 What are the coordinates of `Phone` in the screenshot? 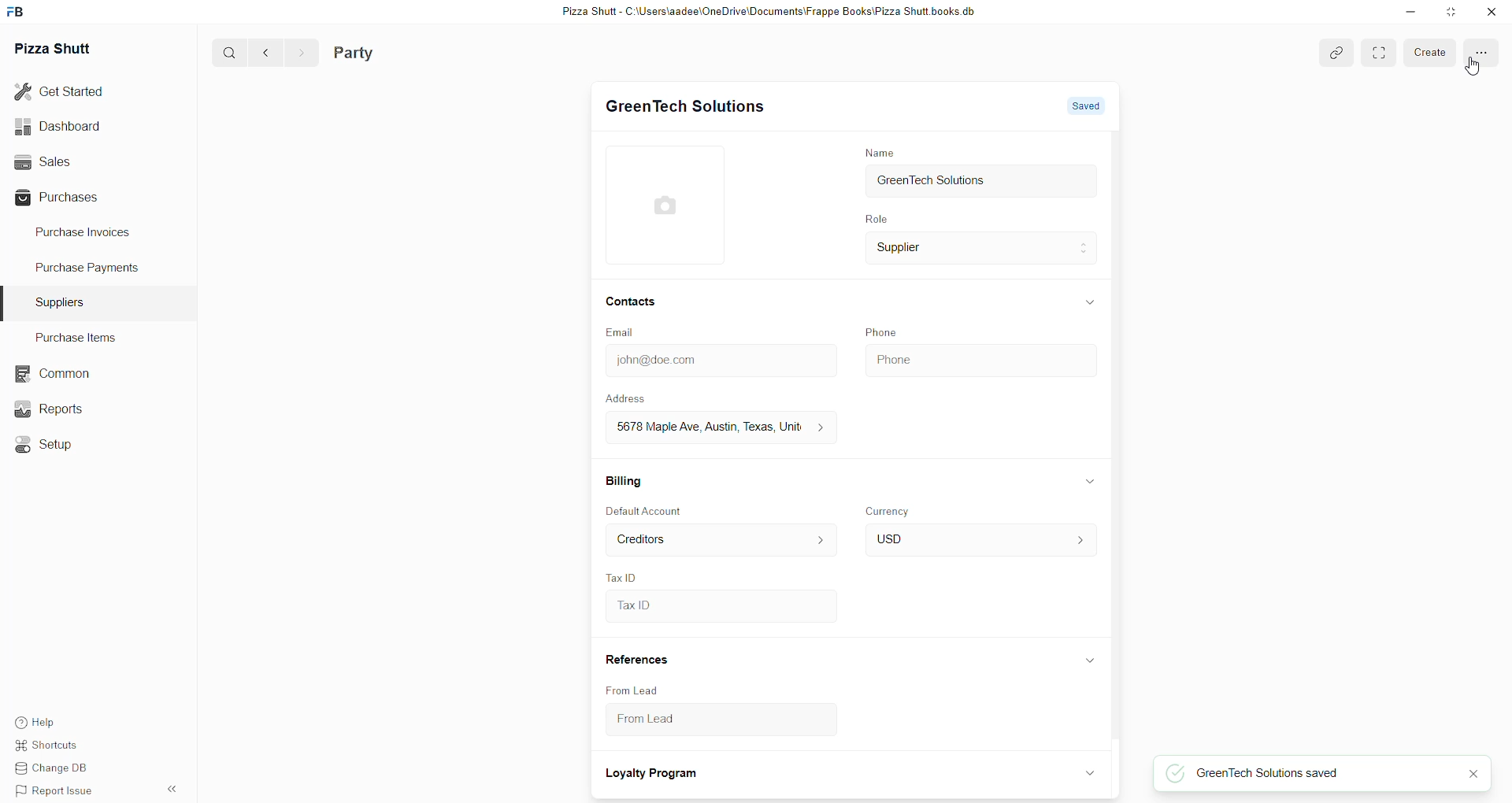 It's located at (978, 357).